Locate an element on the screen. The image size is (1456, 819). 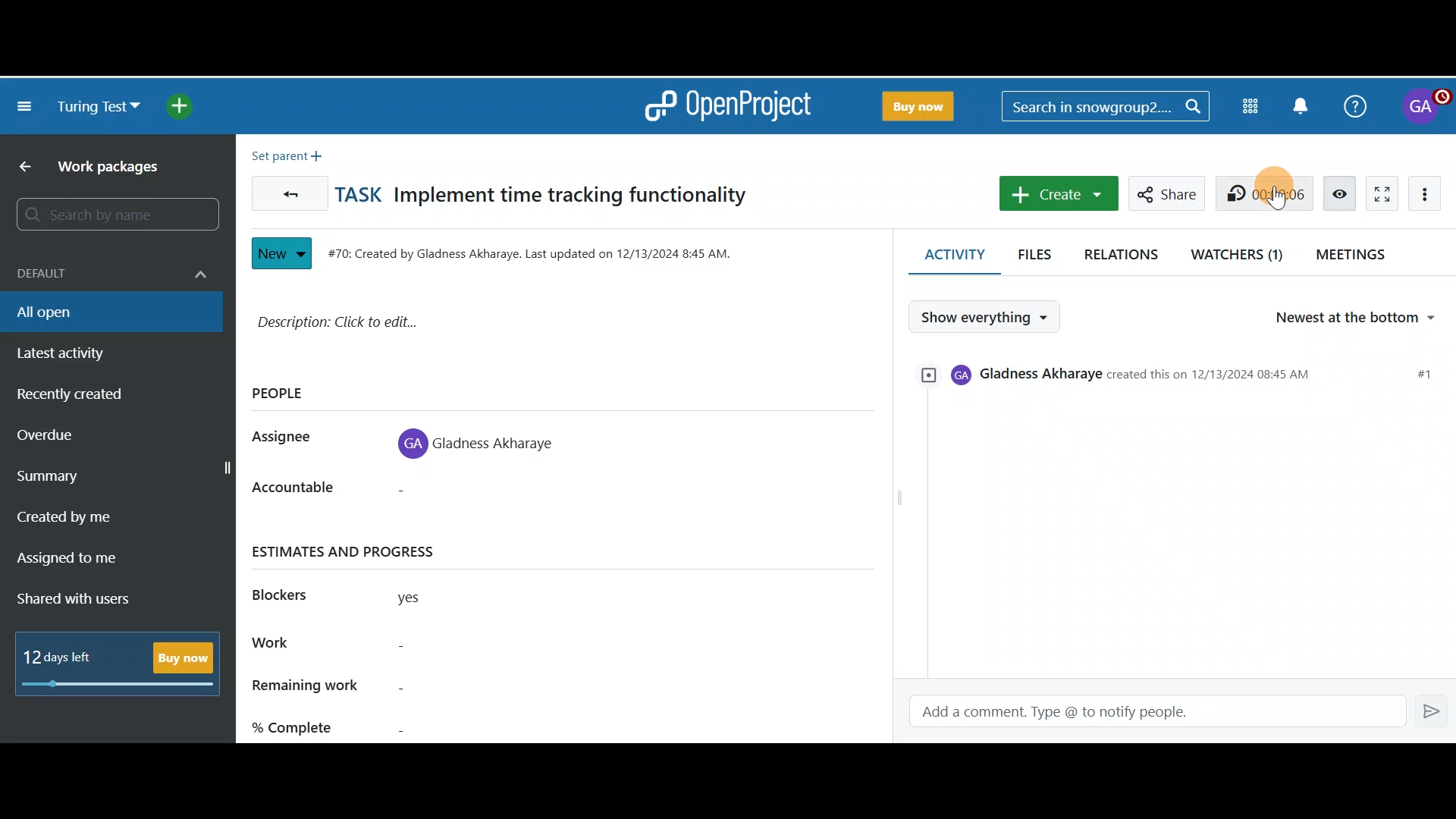
New is located at coordinates (281, 249).